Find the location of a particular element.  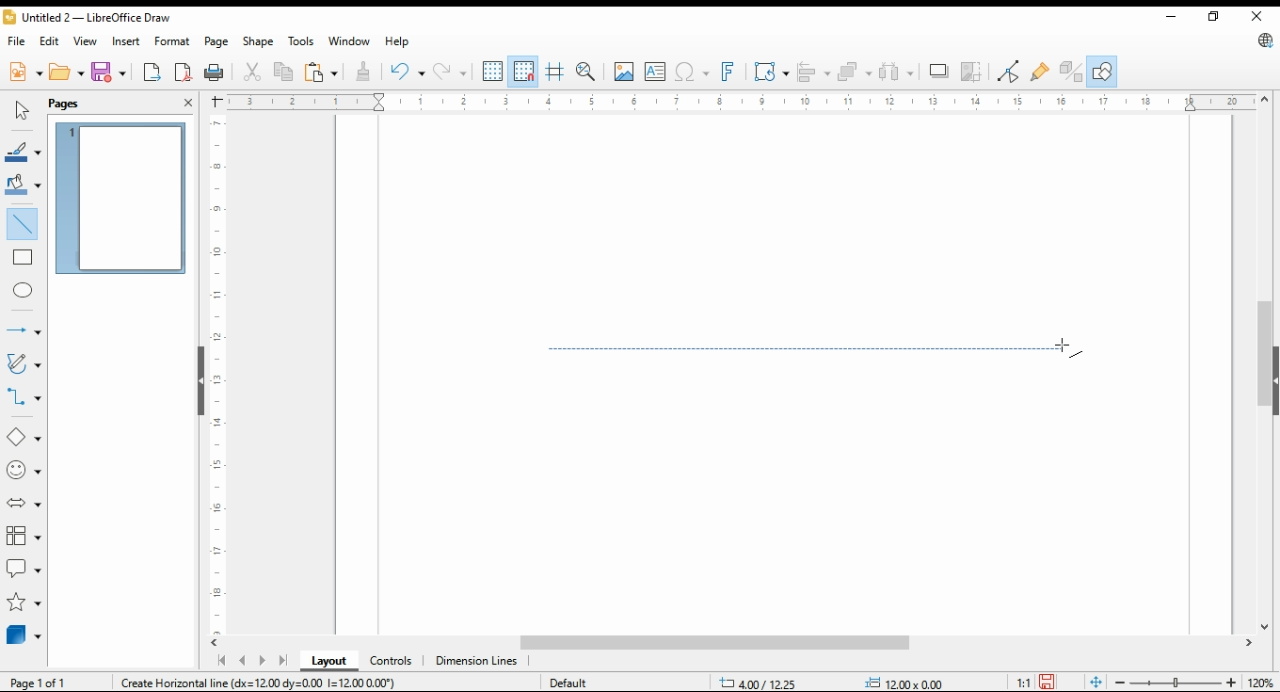

curves and polygons is located at coordinates (22, 365).